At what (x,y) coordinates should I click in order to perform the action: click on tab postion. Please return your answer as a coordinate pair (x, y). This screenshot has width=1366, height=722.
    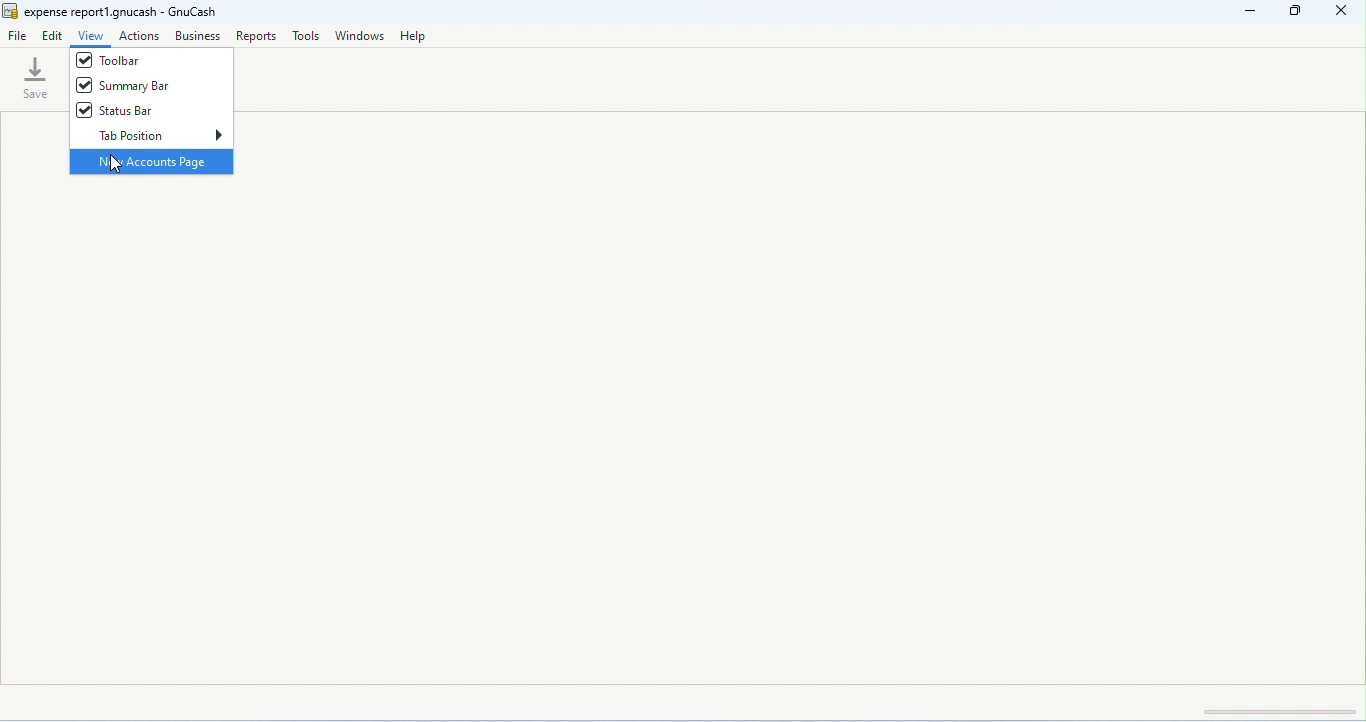
    Looking at the image, I should click on (160, 134).